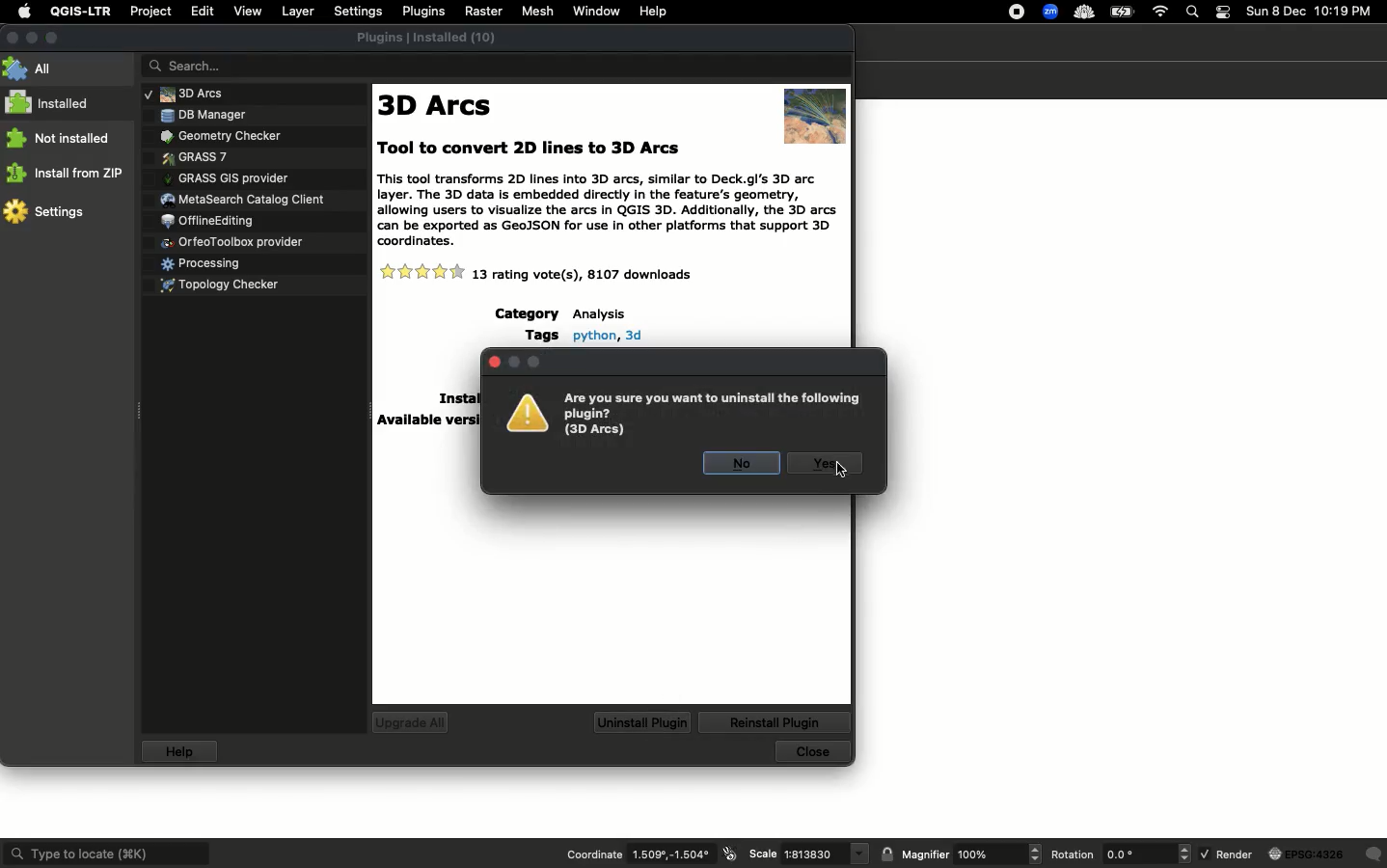  What do you see at coordinates (245, 196) in the screenshot?
I see `Plugins` at bounding box center [245, 196].